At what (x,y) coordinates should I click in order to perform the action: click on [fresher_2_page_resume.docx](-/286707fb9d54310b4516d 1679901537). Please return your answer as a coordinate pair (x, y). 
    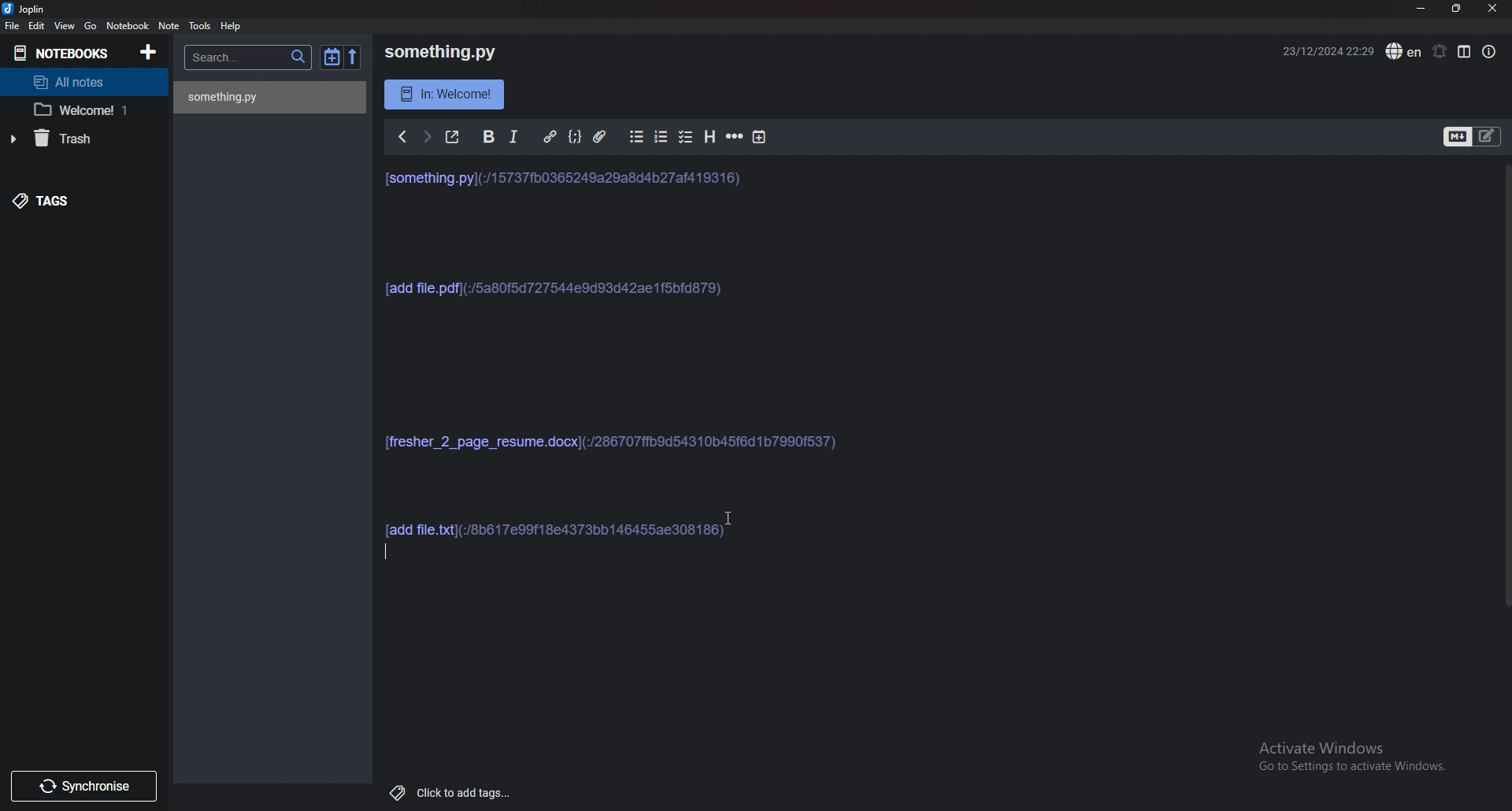
    Looking at the image, I should click on (610, 443).